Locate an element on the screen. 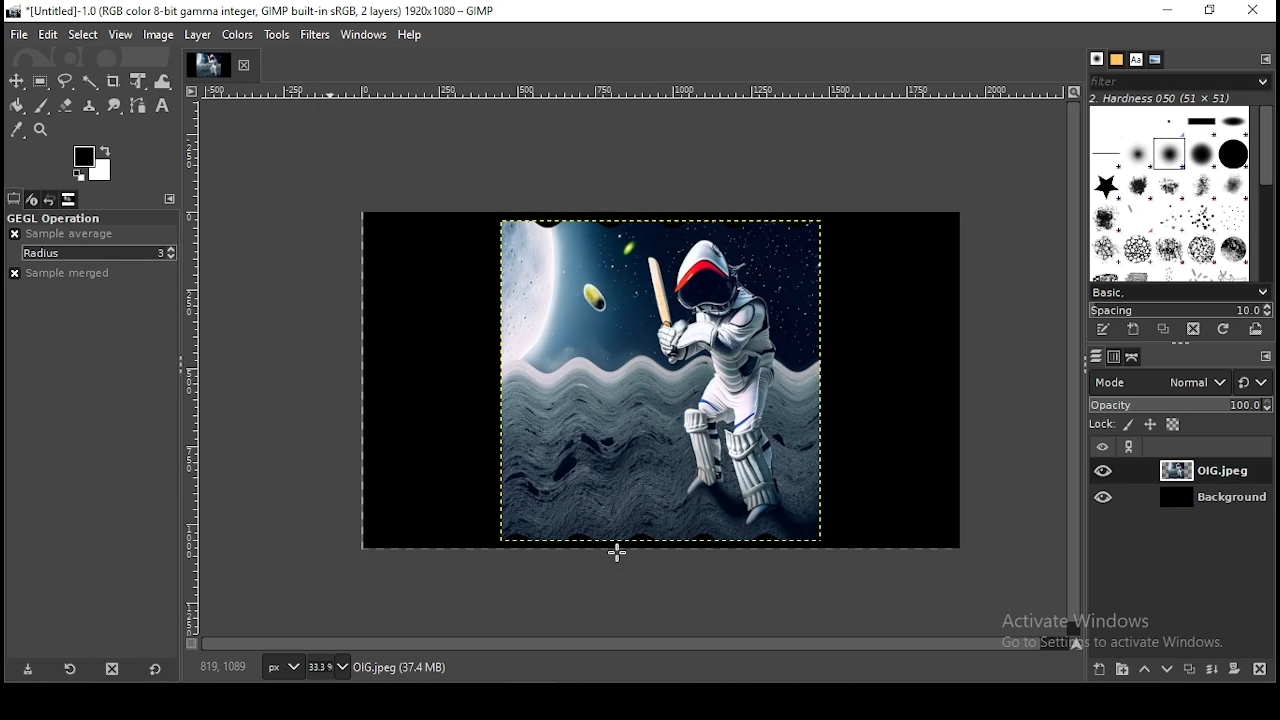 The width and height of the screenshot is (1280, 720). layer is located at coordinates (200, 35).